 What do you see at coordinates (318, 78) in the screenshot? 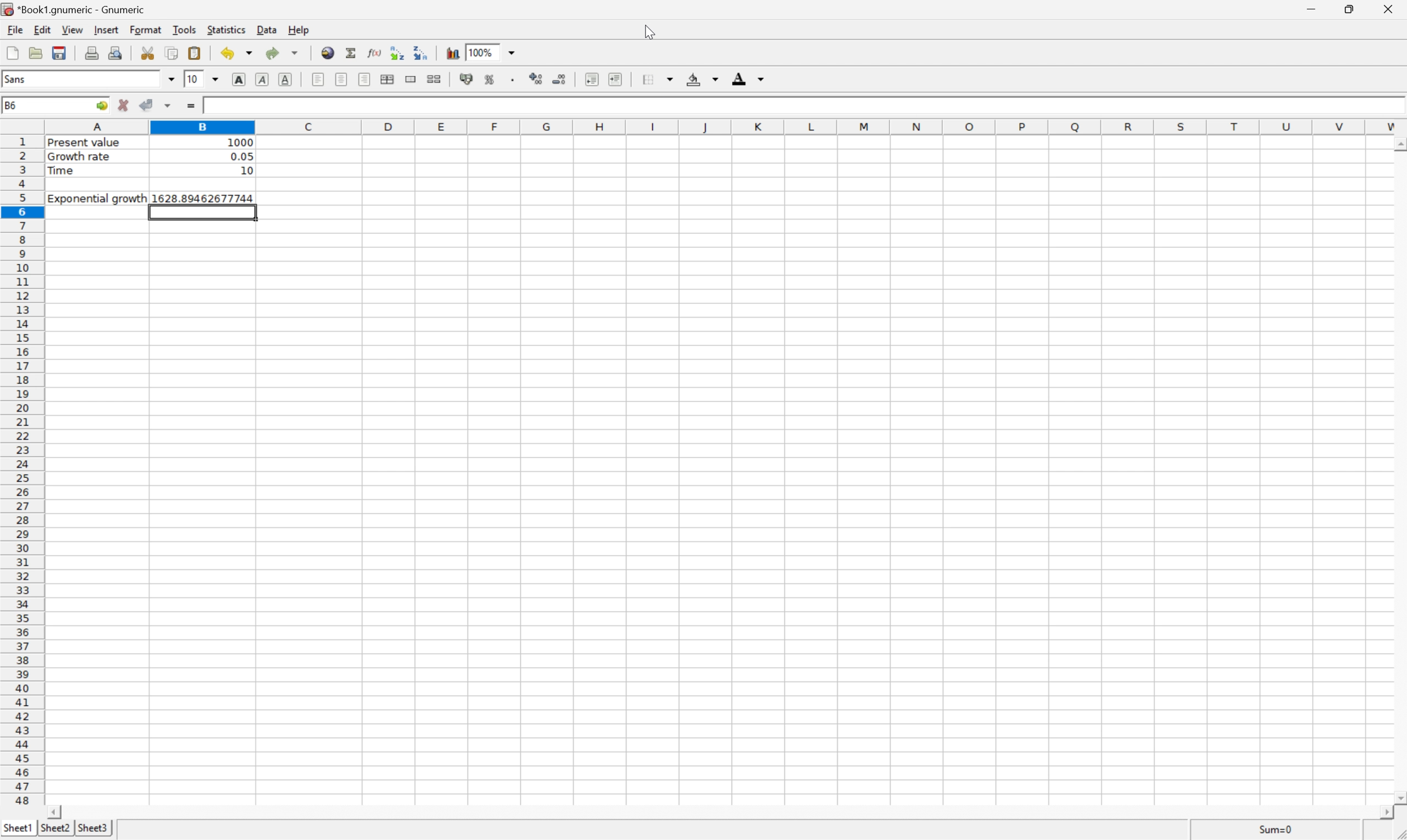
I see `Align Left` at bounding box center [318, 78].